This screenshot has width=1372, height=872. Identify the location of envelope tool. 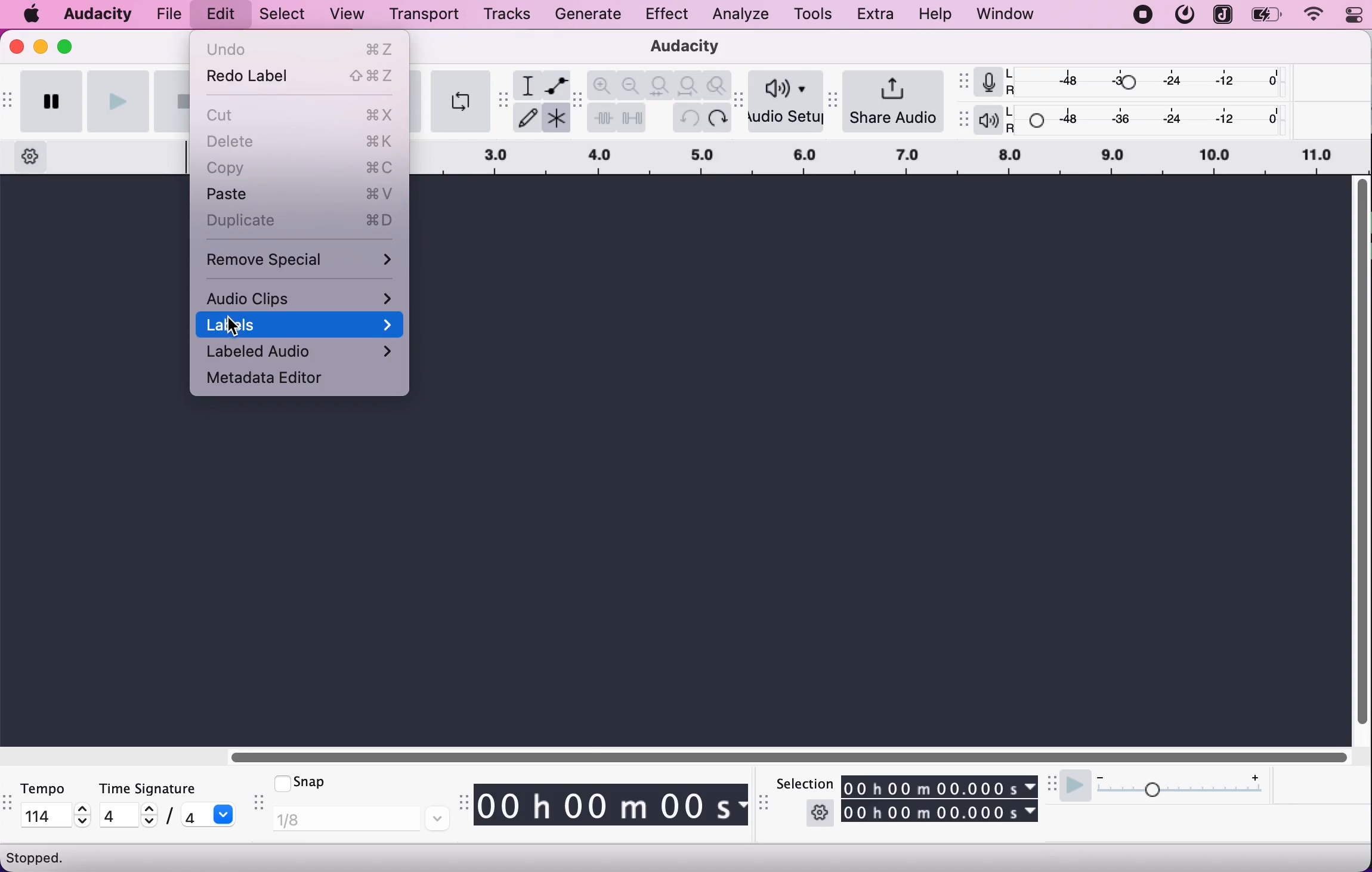
(555, 85).